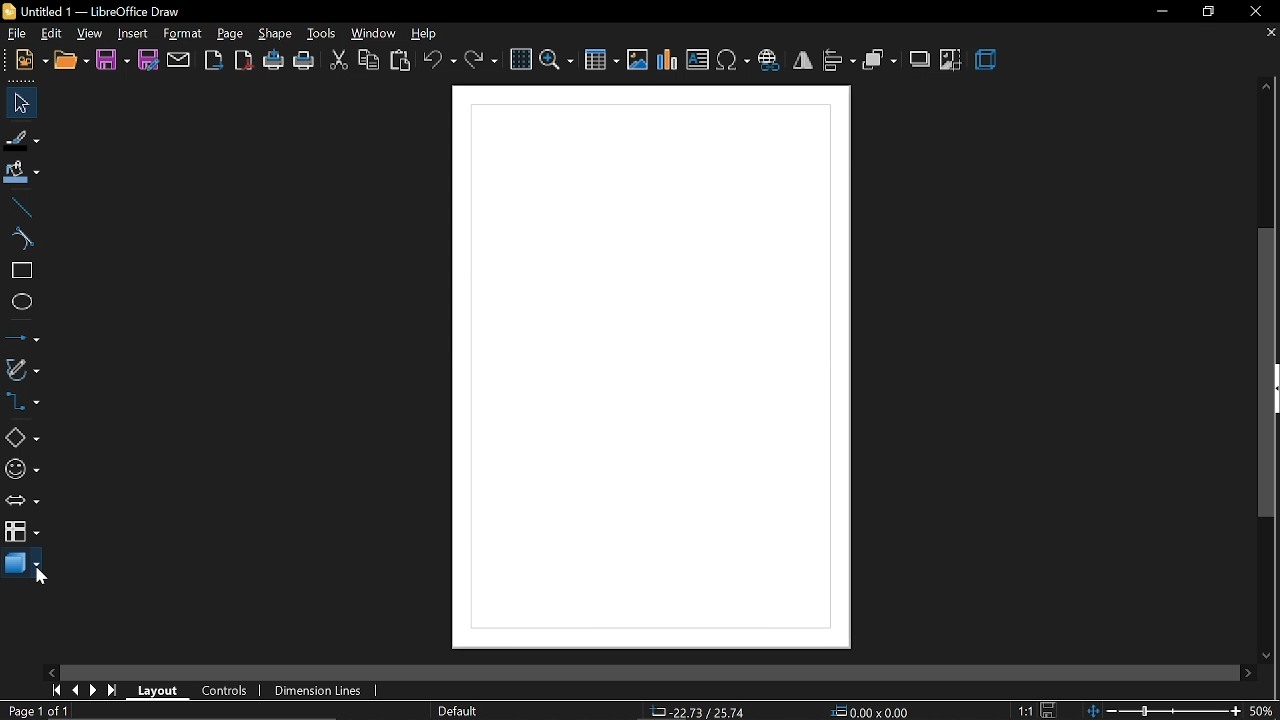  Describe the element at coordinates (25, 567) in the screenshot. I see `3d shapes` at that location.